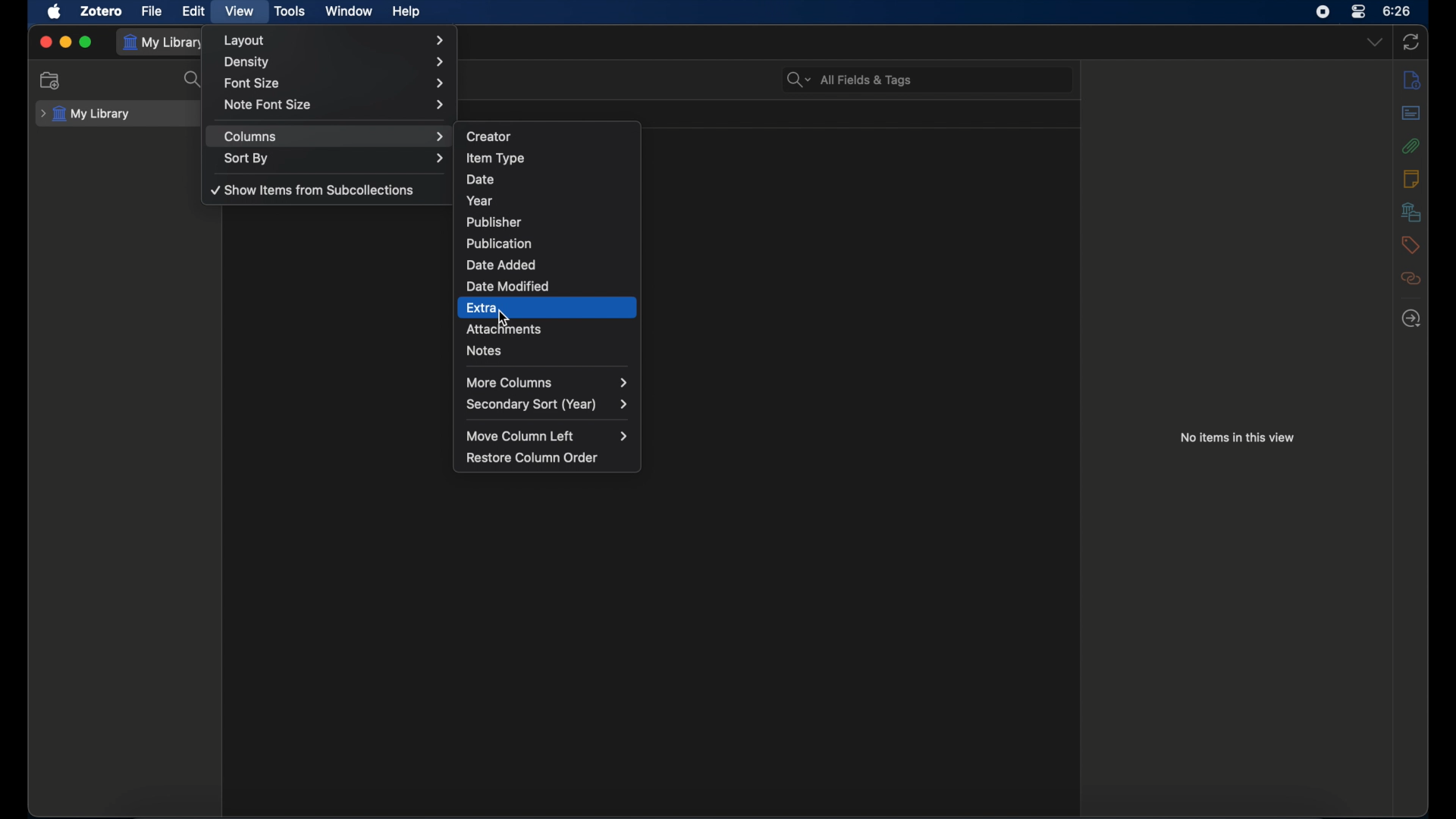 The height and width of the screenshot is (819, 1456). What do you see at coordinates (554, 331) in the screenshot?
I see `attachments` at bounding box center [554, 331].